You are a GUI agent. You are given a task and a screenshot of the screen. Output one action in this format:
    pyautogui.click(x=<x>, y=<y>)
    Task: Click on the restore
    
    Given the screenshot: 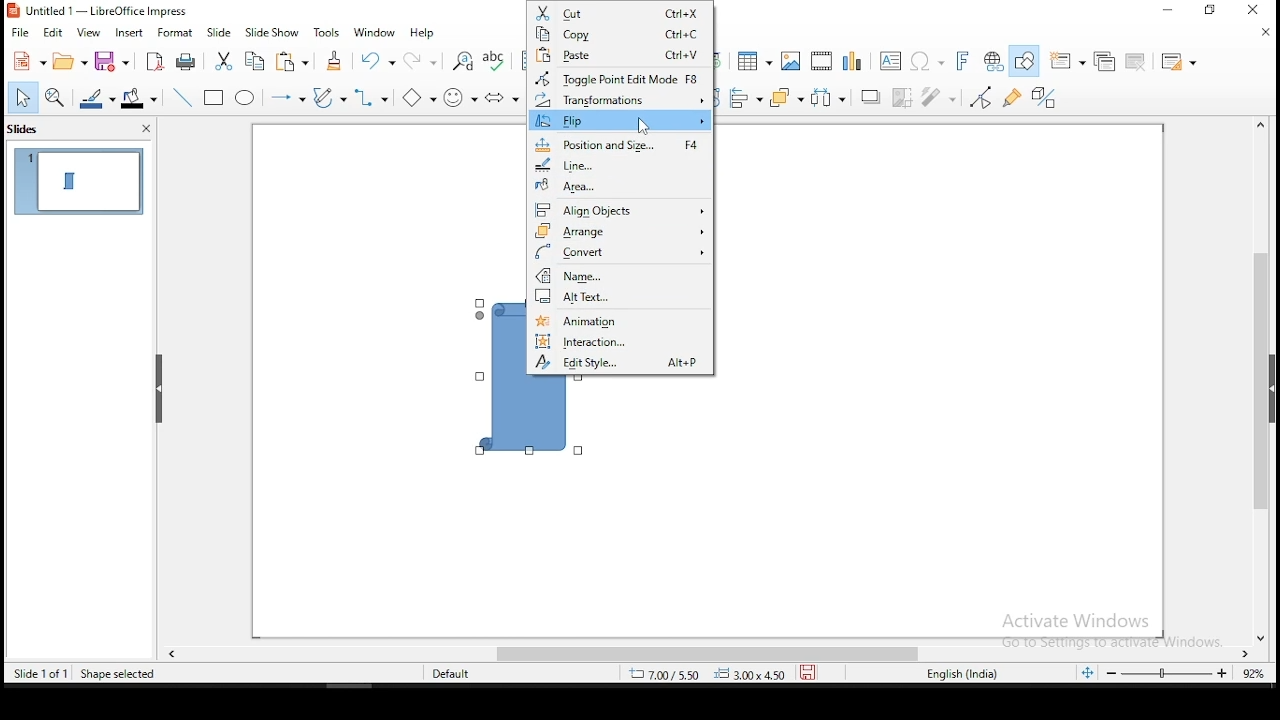 What is the action you would take?
    pyautogui.click(x=1210, y=10)
    